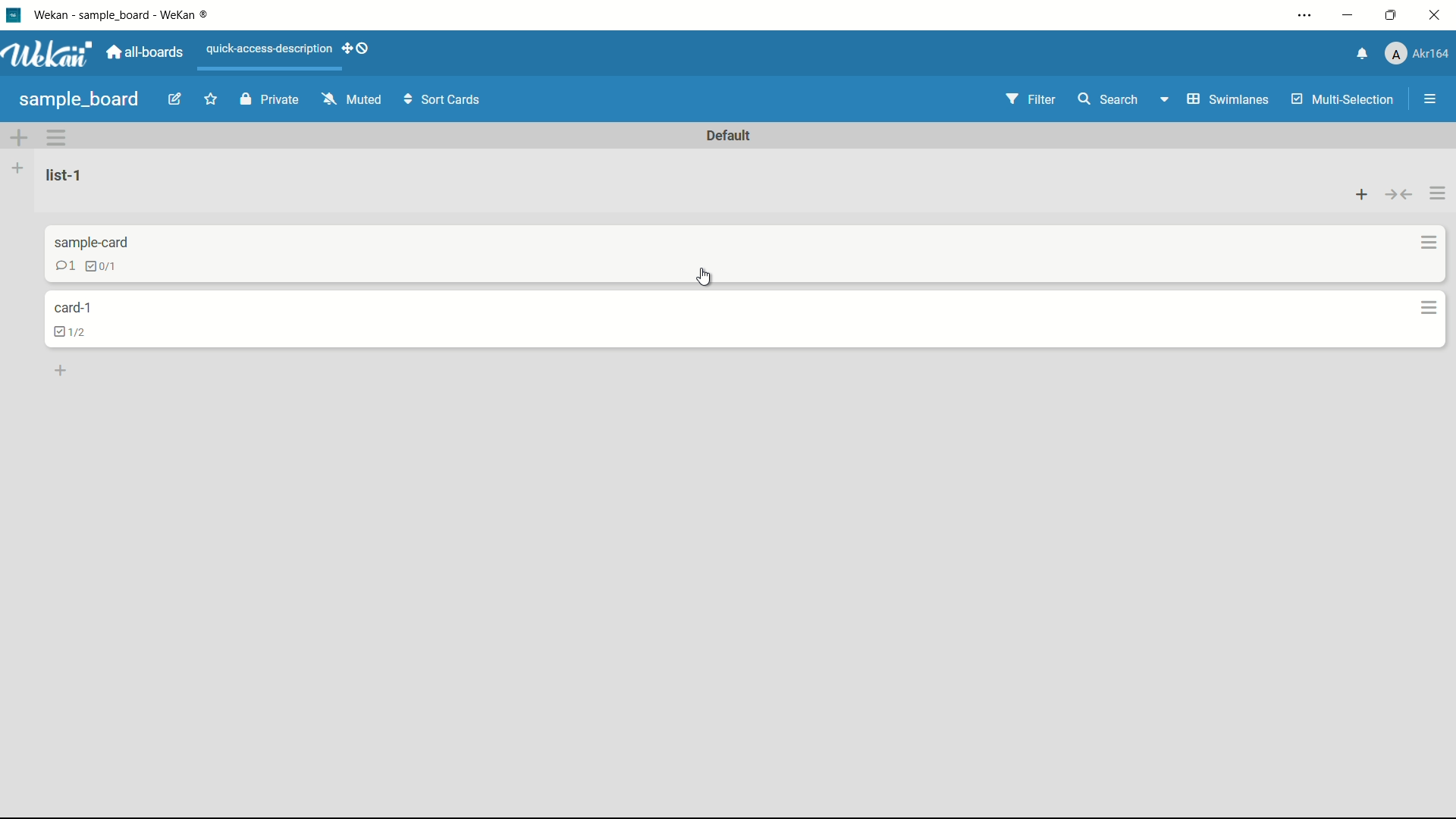  What do you see at coordinates (1391, 14) in the screenshot?
I see `maximize` at bounding box center [1391, 14].